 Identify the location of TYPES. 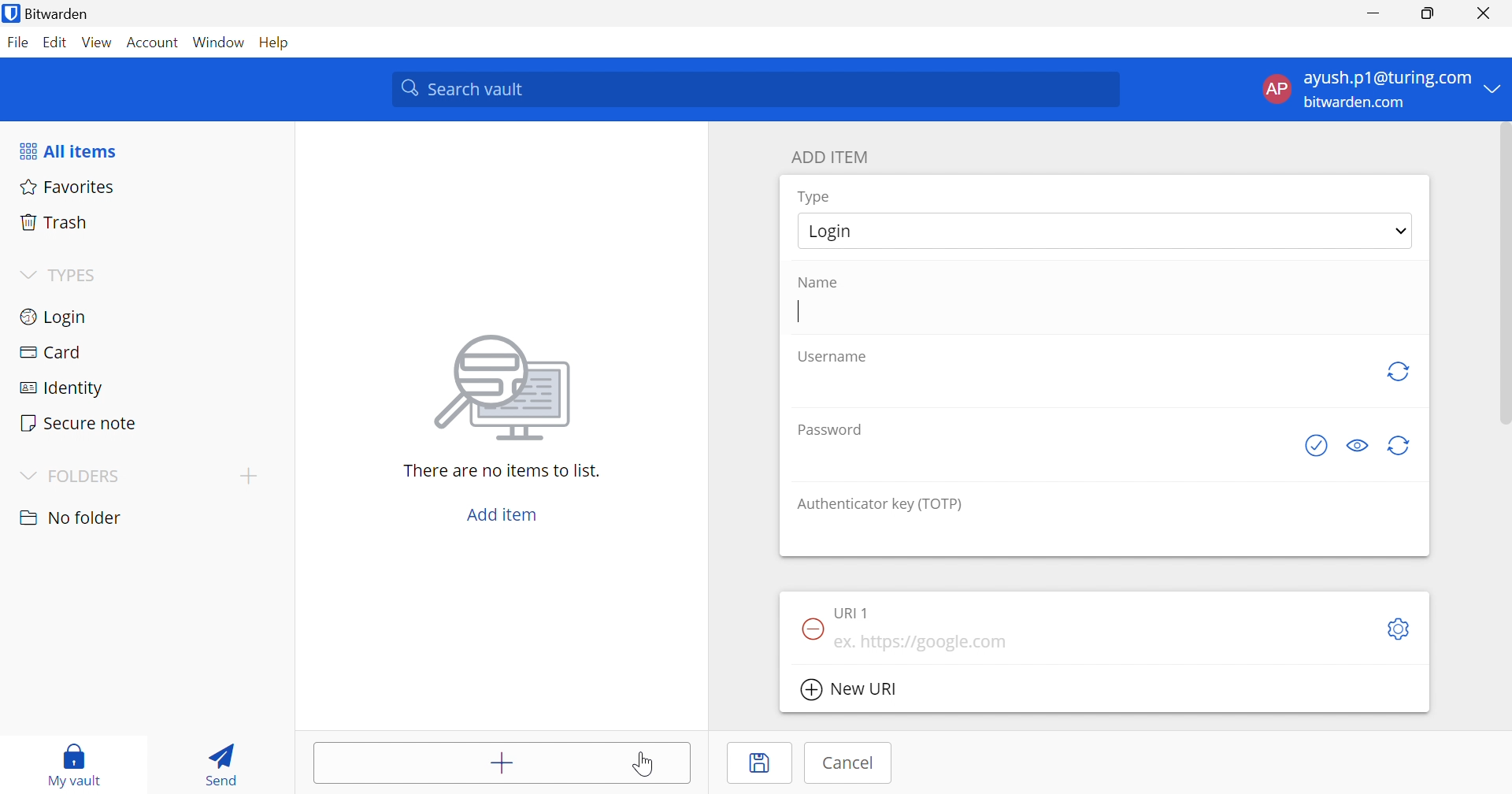
(74, 274).